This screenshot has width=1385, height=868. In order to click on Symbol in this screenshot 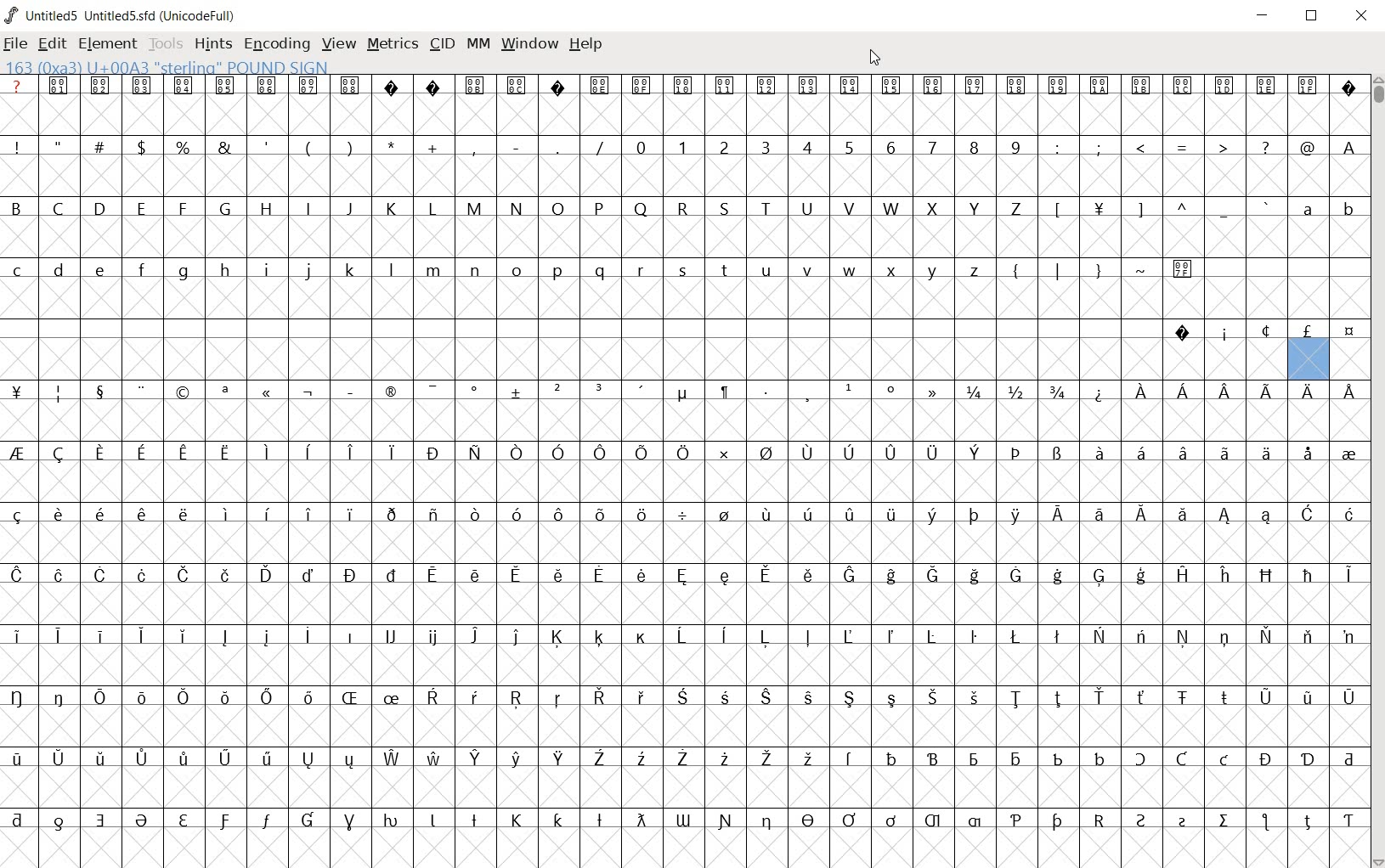, I will do `click(307, 698)`.